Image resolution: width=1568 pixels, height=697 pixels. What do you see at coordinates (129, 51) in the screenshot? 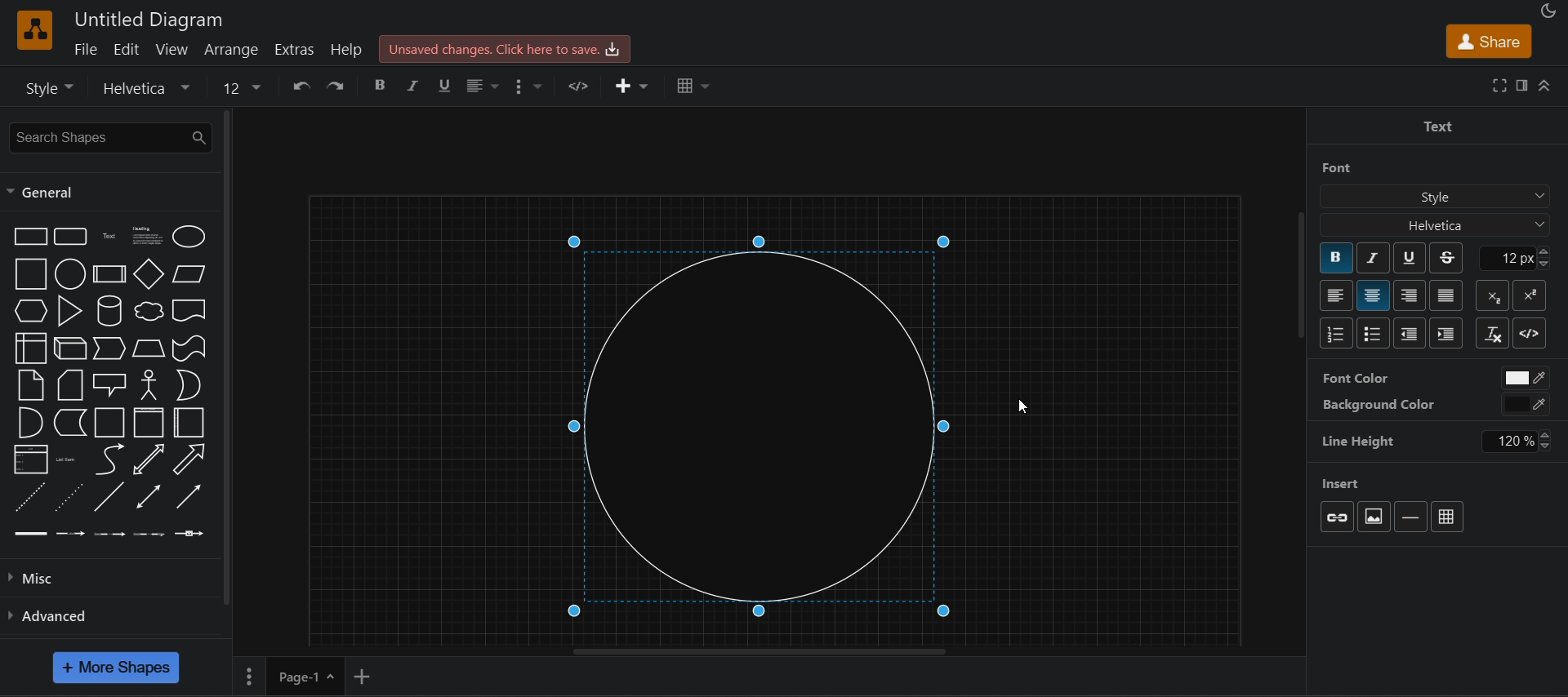
I see `edit` at bounding box center [129, 51].